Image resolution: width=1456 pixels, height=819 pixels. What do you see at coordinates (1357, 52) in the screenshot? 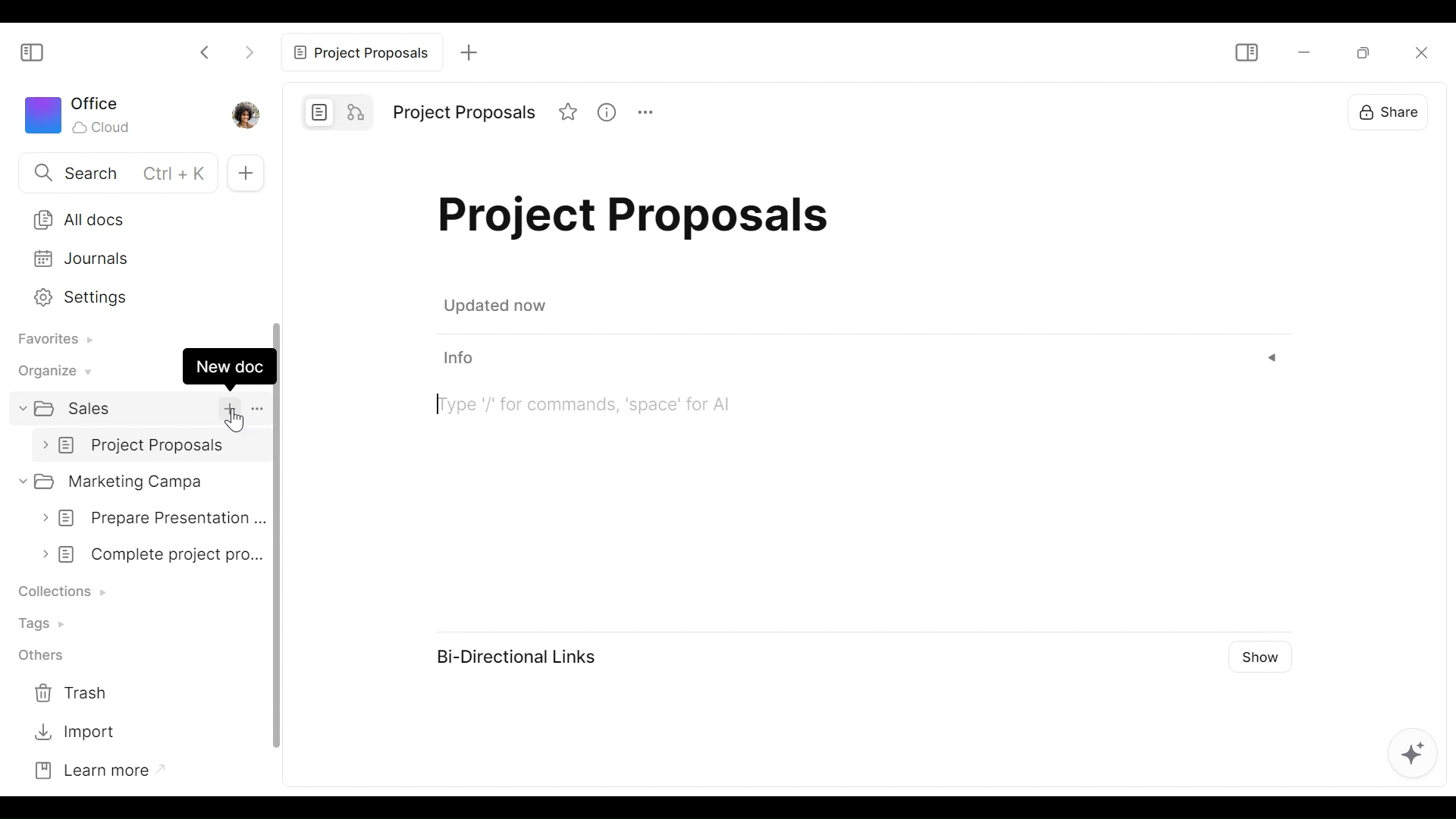
I see `Restore` at bounding box center [1357, 52].